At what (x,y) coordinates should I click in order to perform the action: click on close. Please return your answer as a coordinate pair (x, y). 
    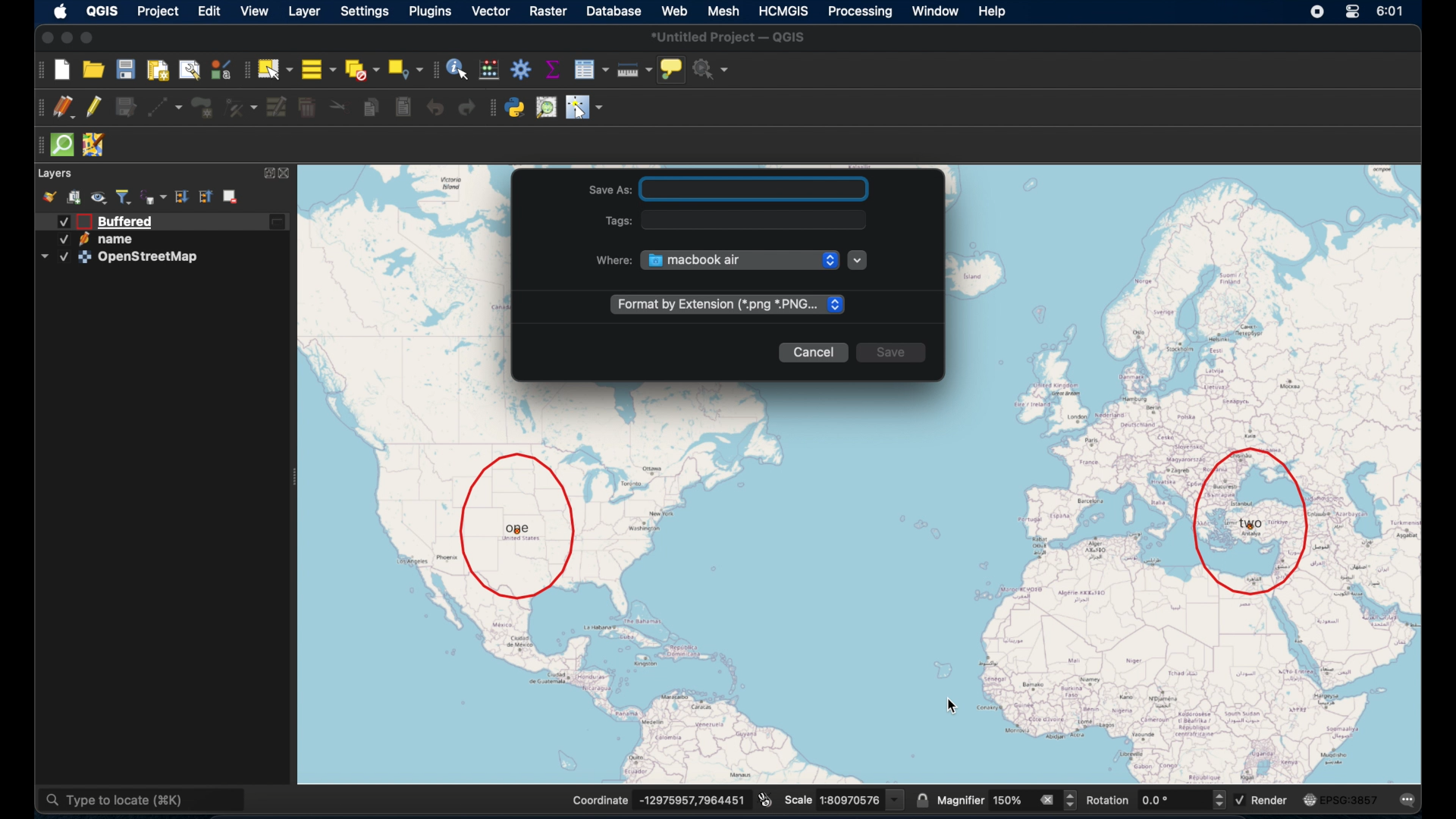
    Looking at the image, I should click on (288, 174).